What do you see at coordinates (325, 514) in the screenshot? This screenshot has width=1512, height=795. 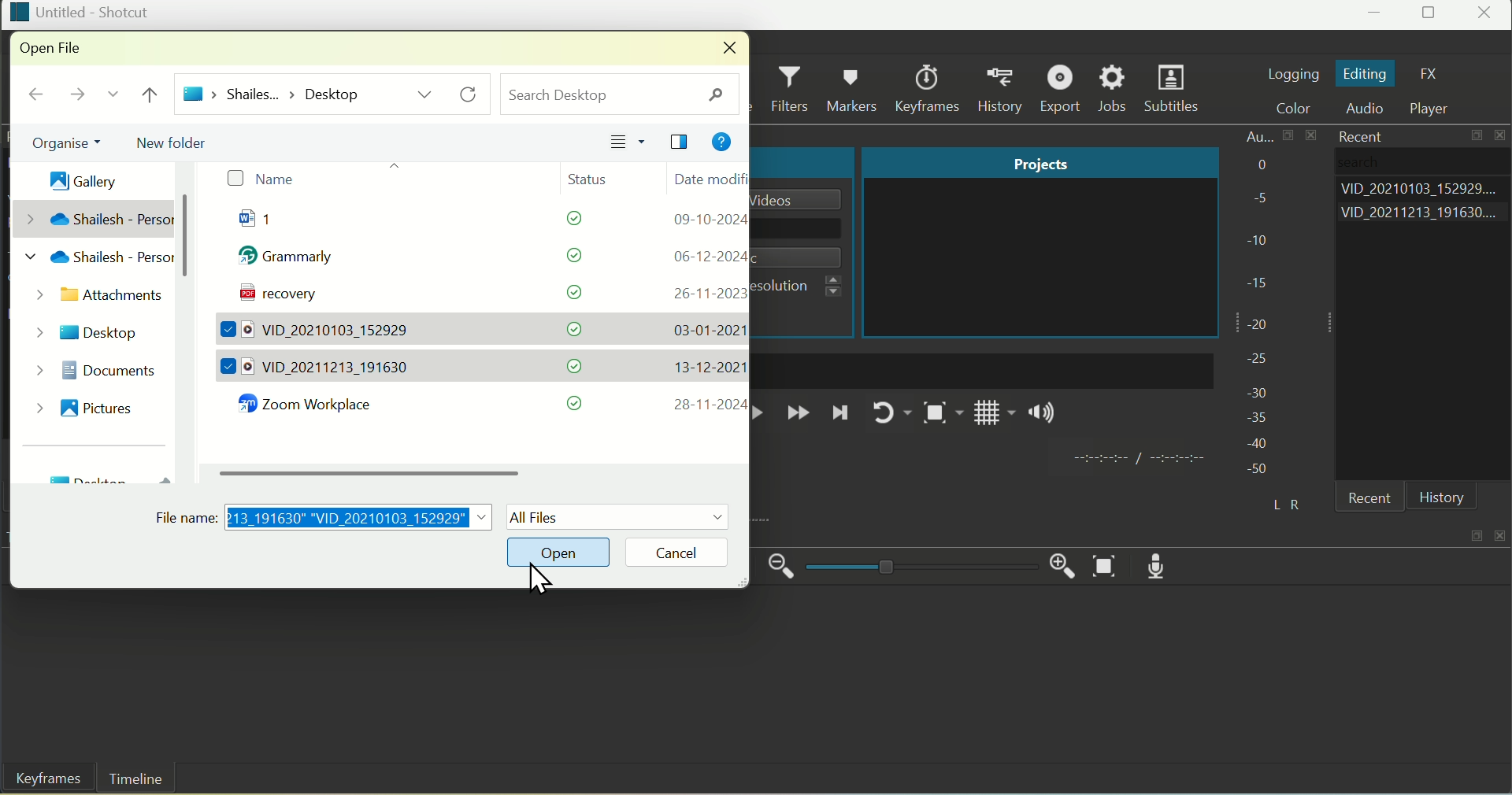 I see `File Name  ` at bounding box center [325, 514].